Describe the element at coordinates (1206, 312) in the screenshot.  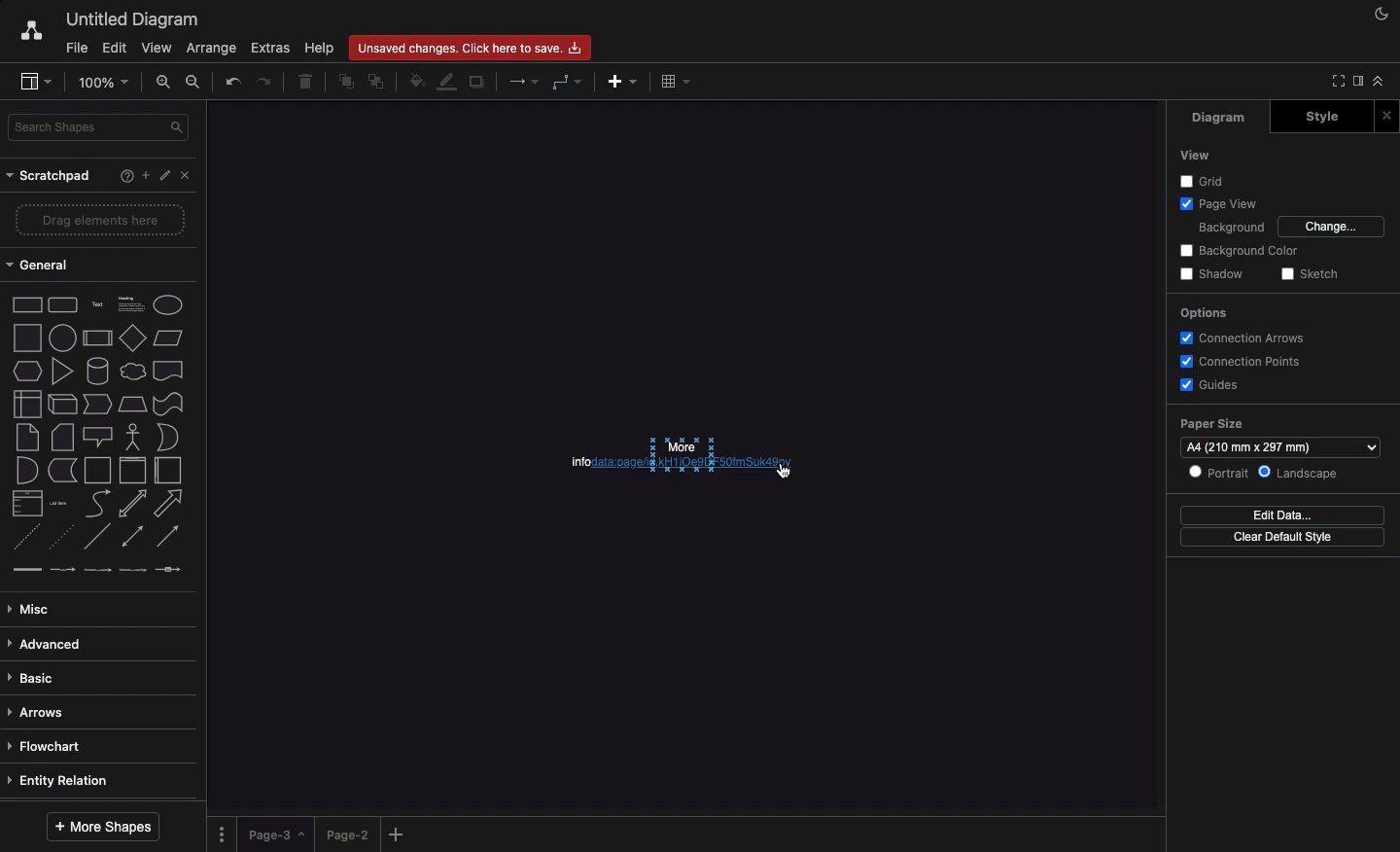
I see `Options` at that location.